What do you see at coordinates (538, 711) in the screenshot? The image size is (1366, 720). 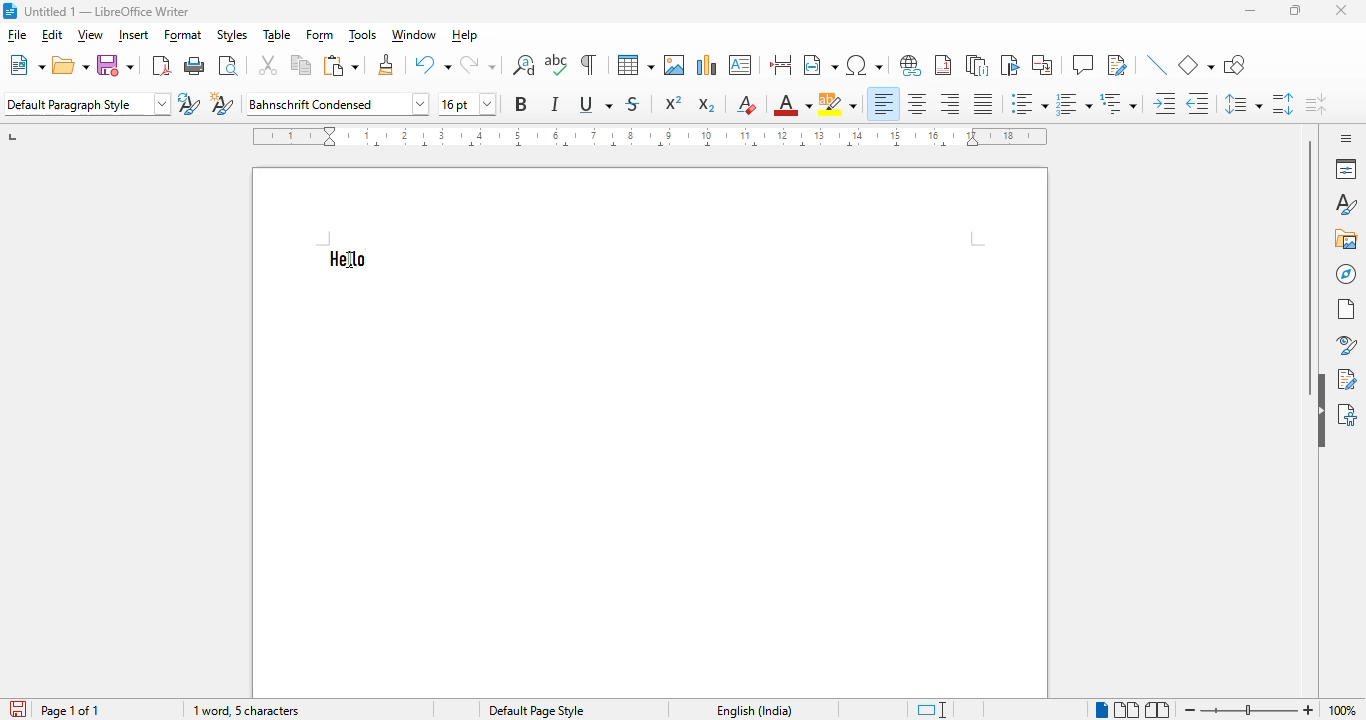 I see `default page style` at bounding box center [538, 711].